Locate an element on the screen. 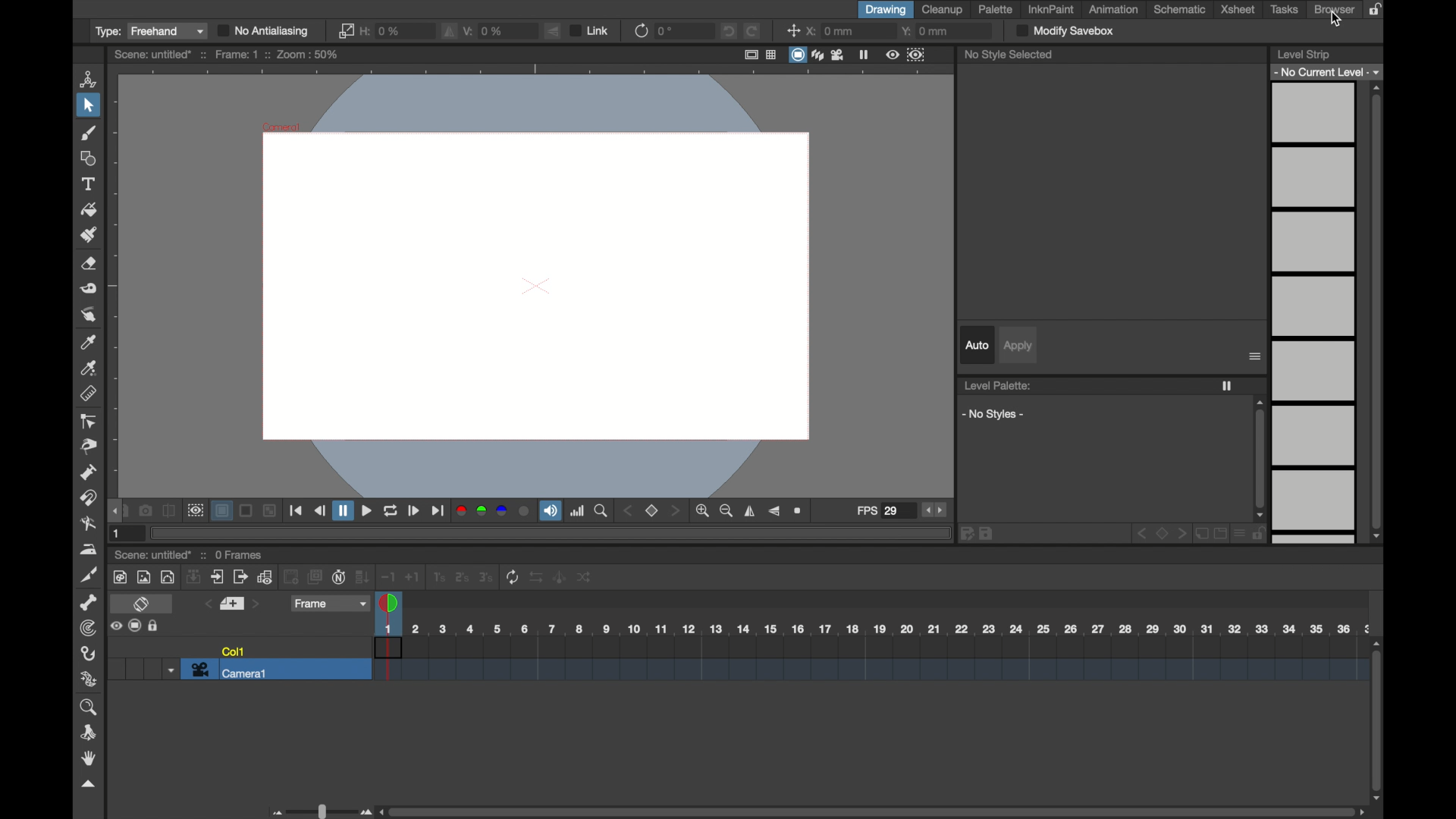 The width and height of the screenshot is (1456, 819). browser is located at coordinates (1334, 9).